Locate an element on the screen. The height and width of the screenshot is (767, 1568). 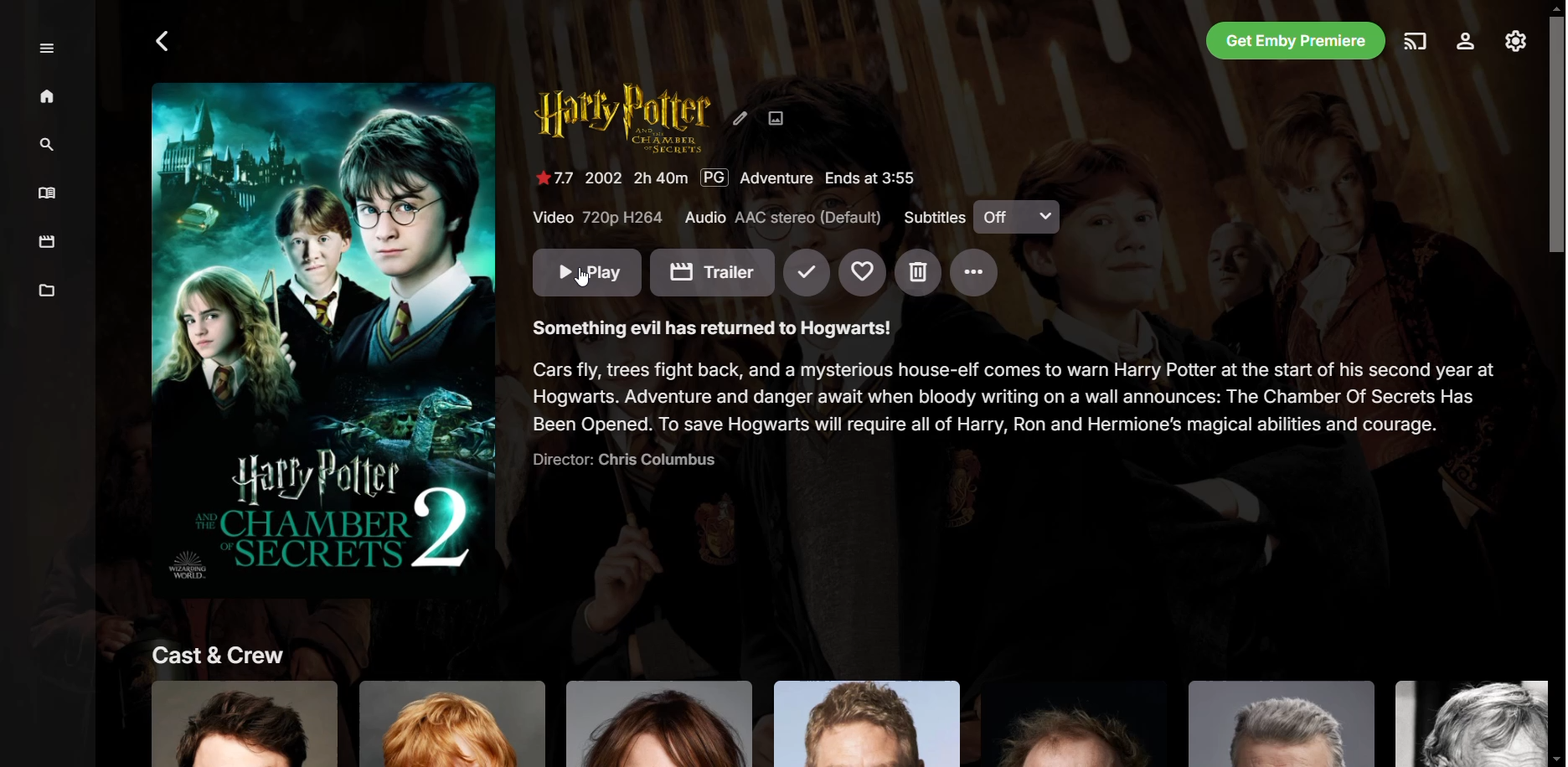
Edit Metadata is located at coordinates (740, 119).